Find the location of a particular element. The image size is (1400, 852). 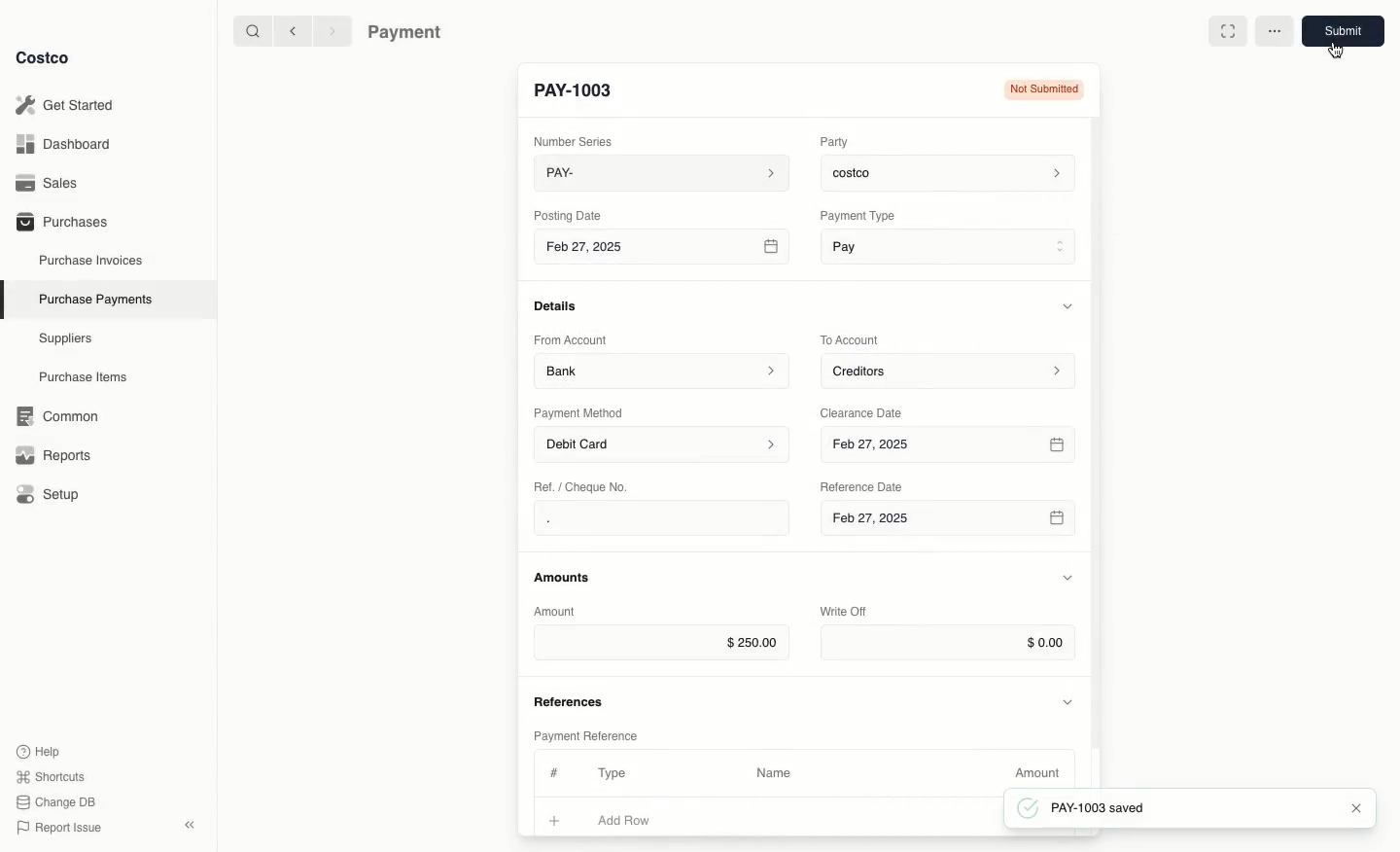

PAY-1003 saved is located at coordinates (1100, 809).